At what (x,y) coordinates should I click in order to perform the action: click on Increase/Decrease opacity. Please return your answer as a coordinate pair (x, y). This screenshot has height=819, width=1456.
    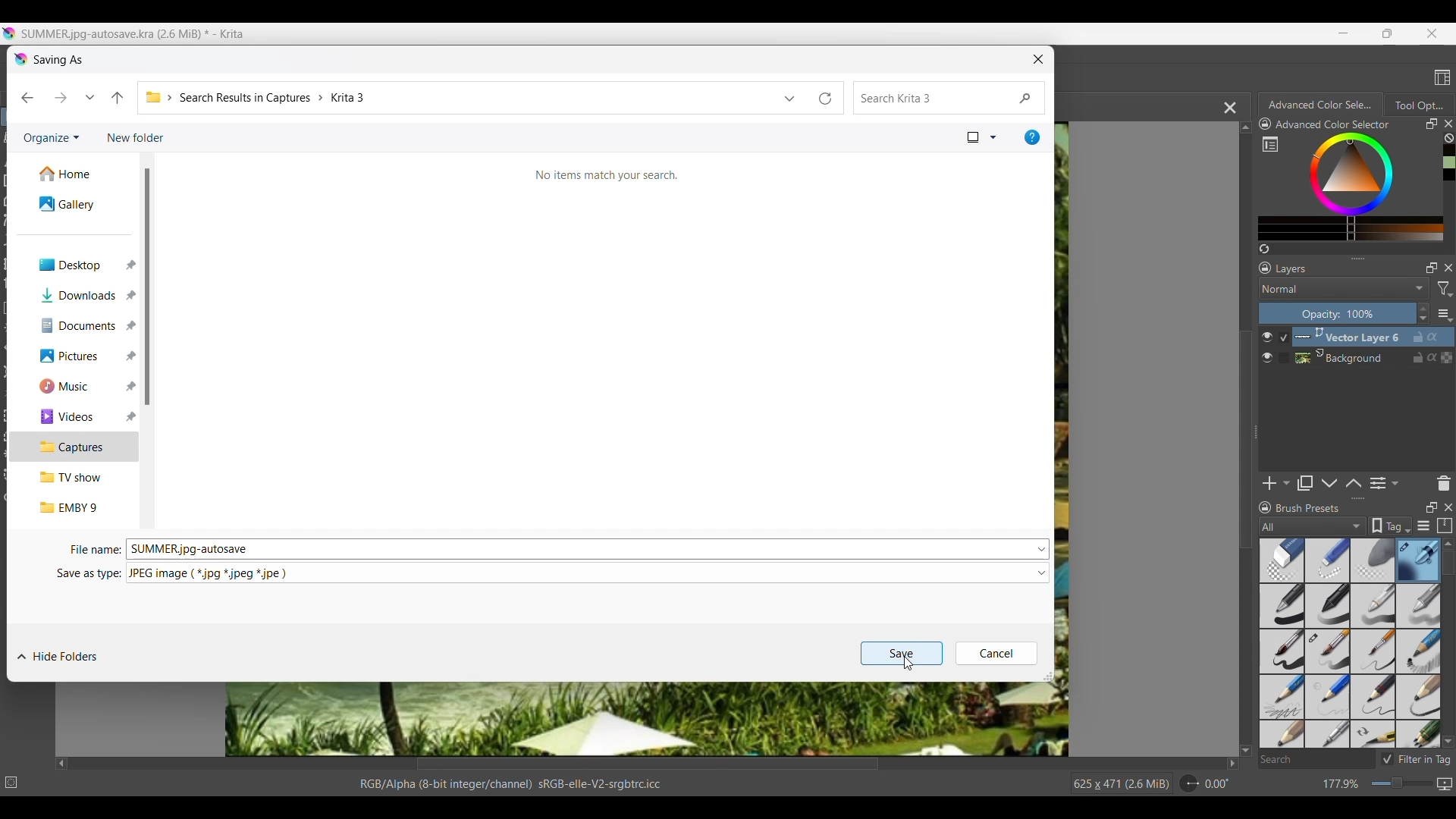
    Looking at the image, I should click on (1423, 314).